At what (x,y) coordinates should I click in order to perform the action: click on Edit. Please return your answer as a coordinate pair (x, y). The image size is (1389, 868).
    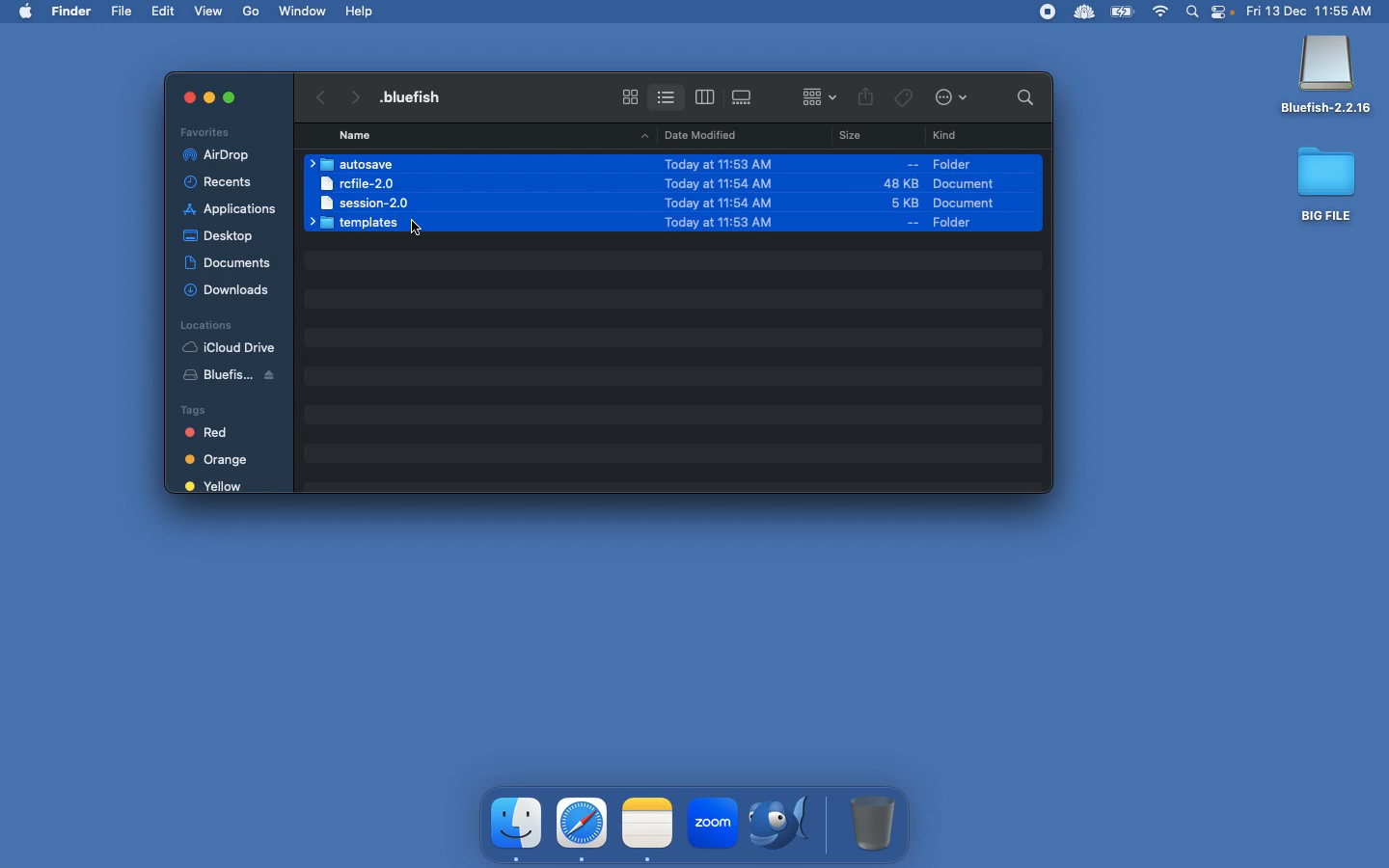
    Looking at the image, I should click on (165, 11).